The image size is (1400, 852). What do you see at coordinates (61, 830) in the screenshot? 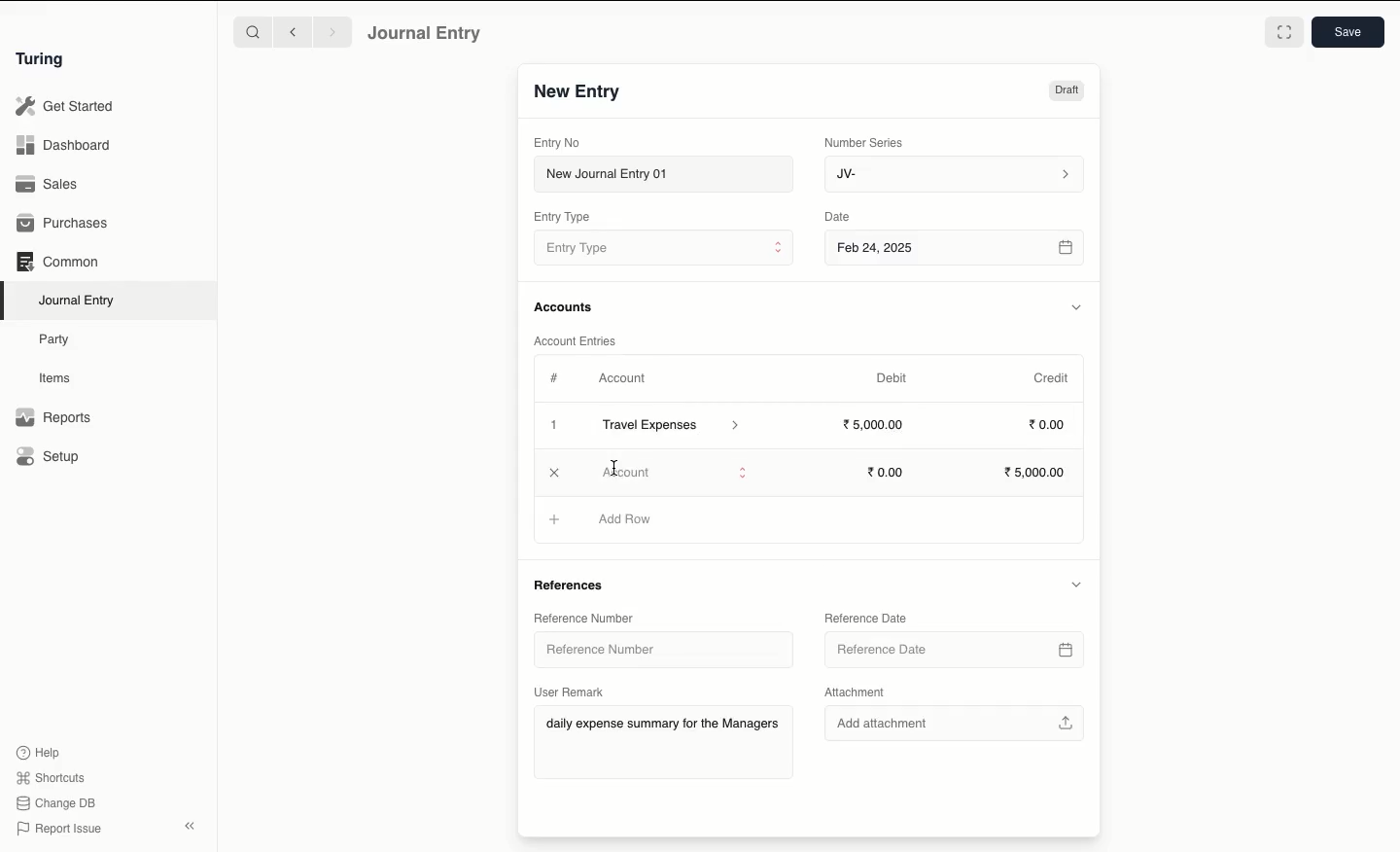
I see `Report Issue` at bounding box center [61, 830].